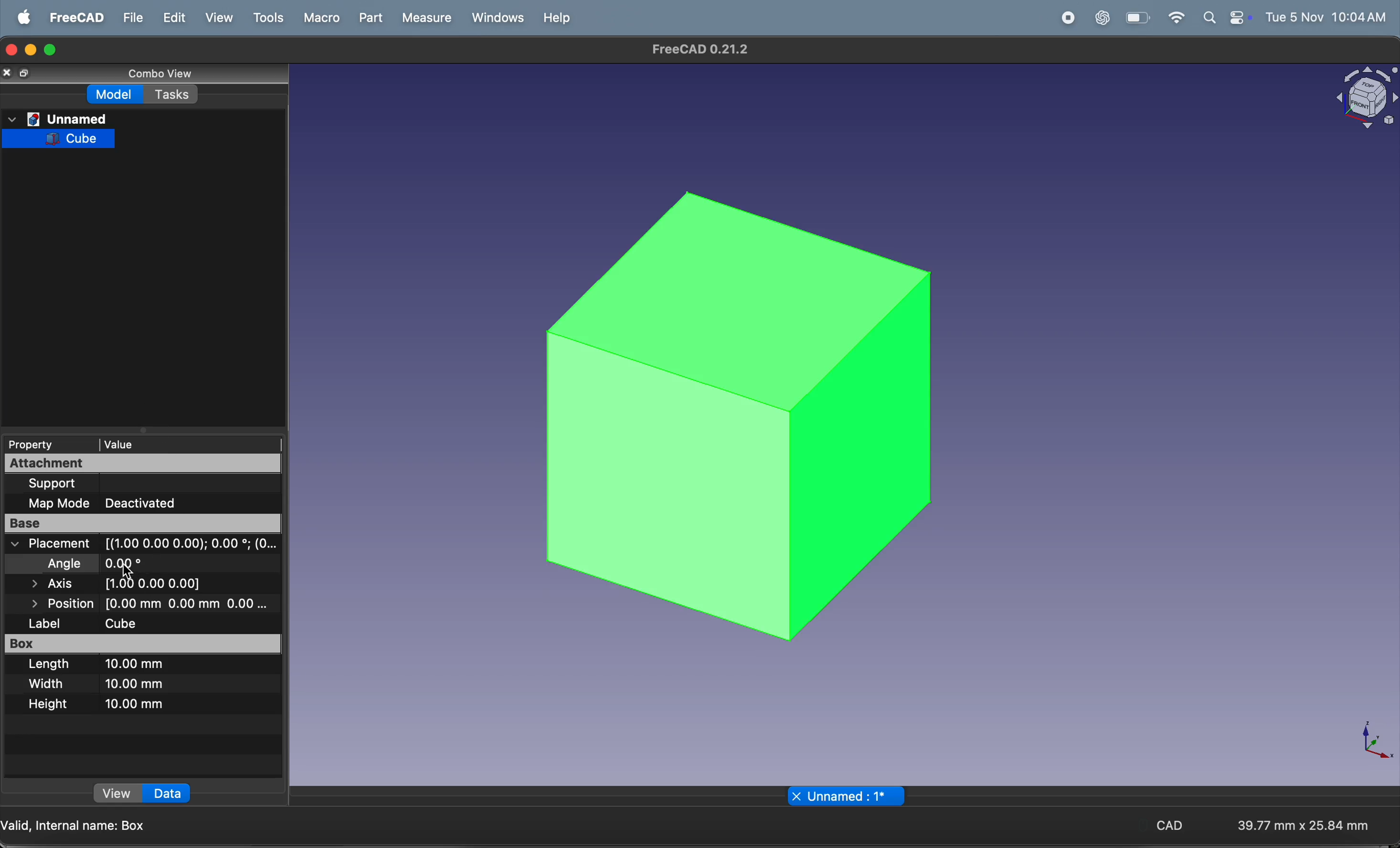 The width and height of the screenshot is (1400, 848). Describe the element at coordinates (218, 16) in the screenshot. I see `view` at that location.